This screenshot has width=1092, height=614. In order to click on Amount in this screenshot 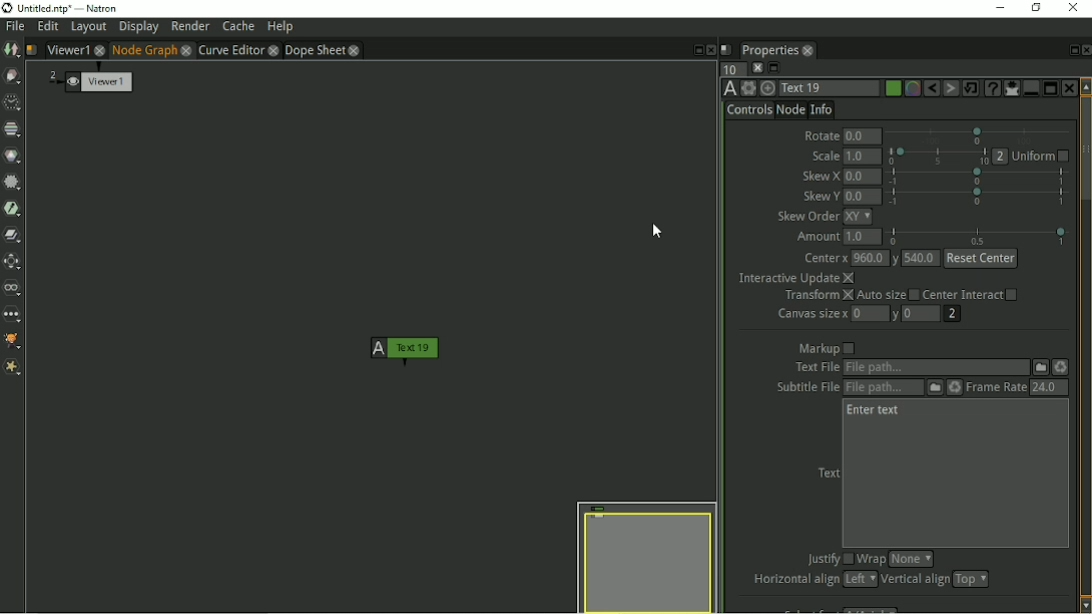, I will do `click(817, 236)`.